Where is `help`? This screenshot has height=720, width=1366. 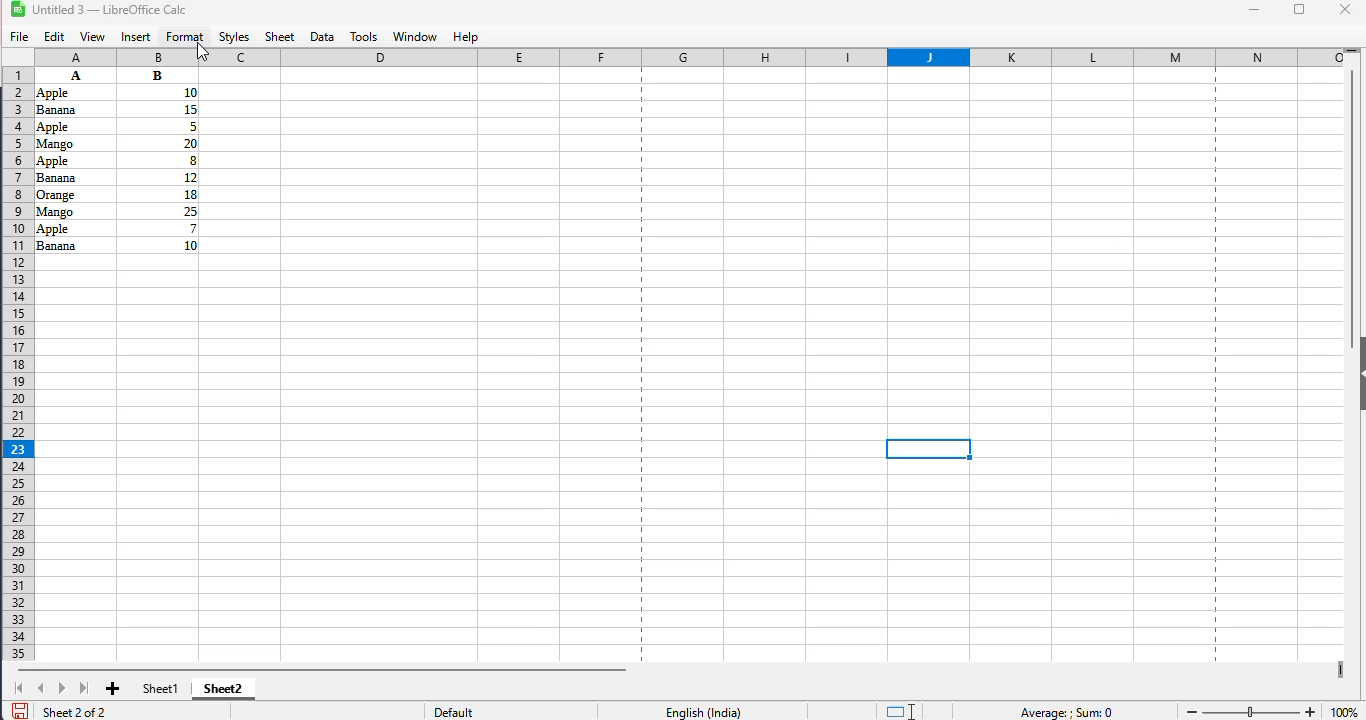
help is located at coordinates (464, 37).